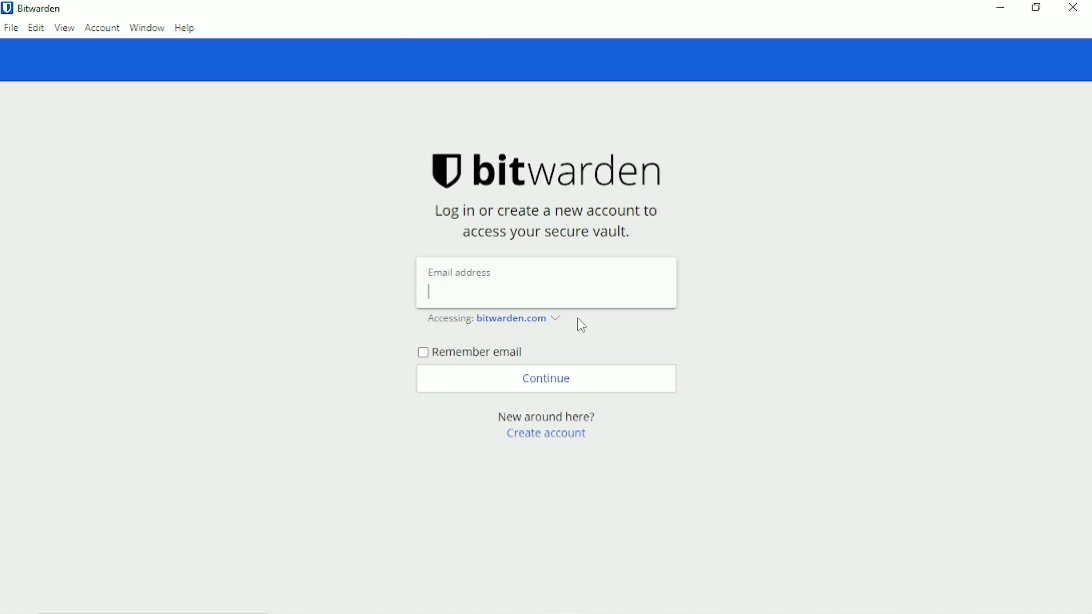  I want to click on Accessing: bitwarden.com, so click(495, 318).